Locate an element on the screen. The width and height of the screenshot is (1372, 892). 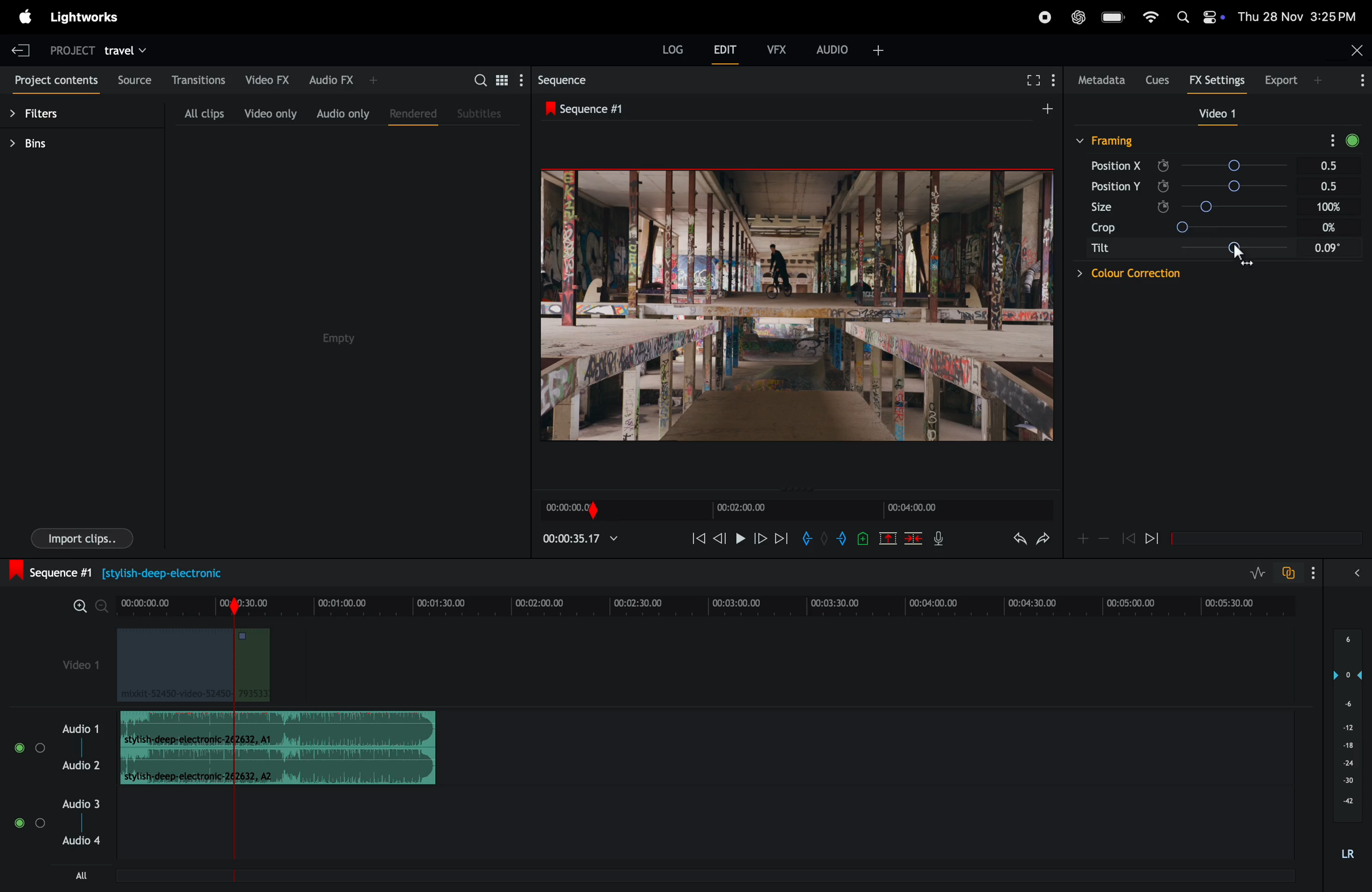
Audio 2 is located at coordinates (82, 768).